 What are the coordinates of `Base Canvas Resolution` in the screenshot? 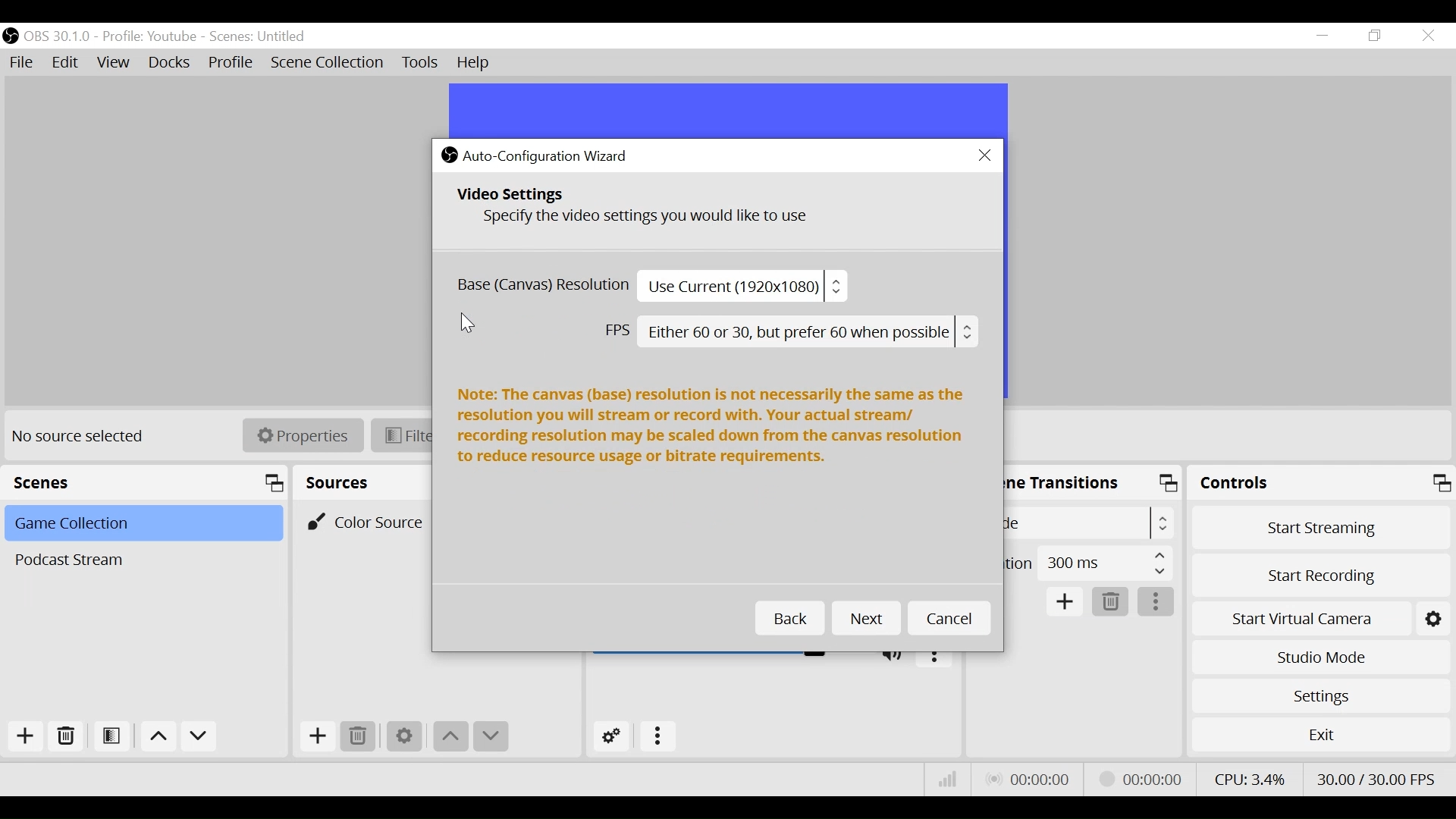 It's located at (650, 286).